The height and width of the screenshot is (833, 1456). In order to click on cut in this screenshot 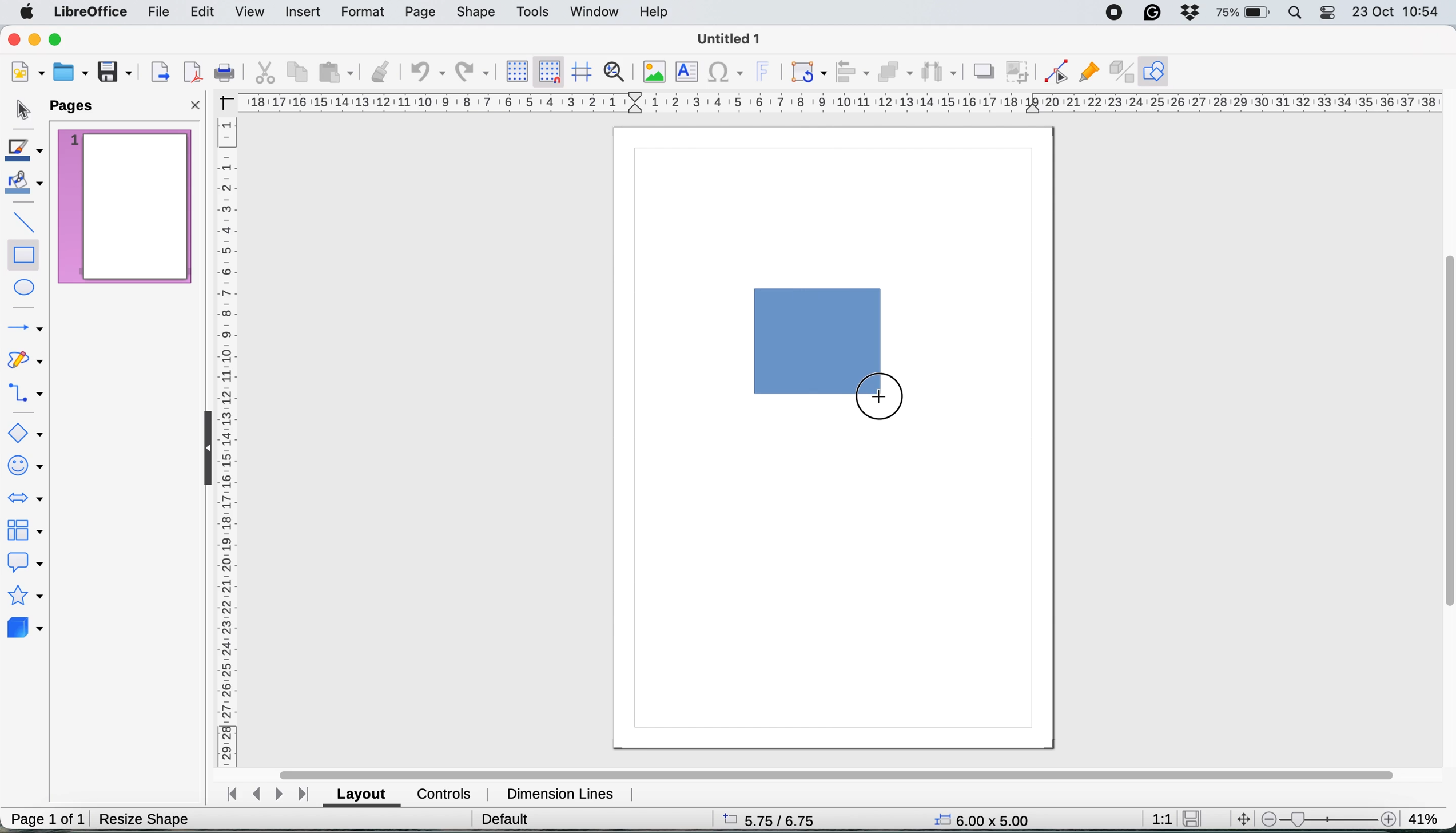, I will do `click(263, 72)`.